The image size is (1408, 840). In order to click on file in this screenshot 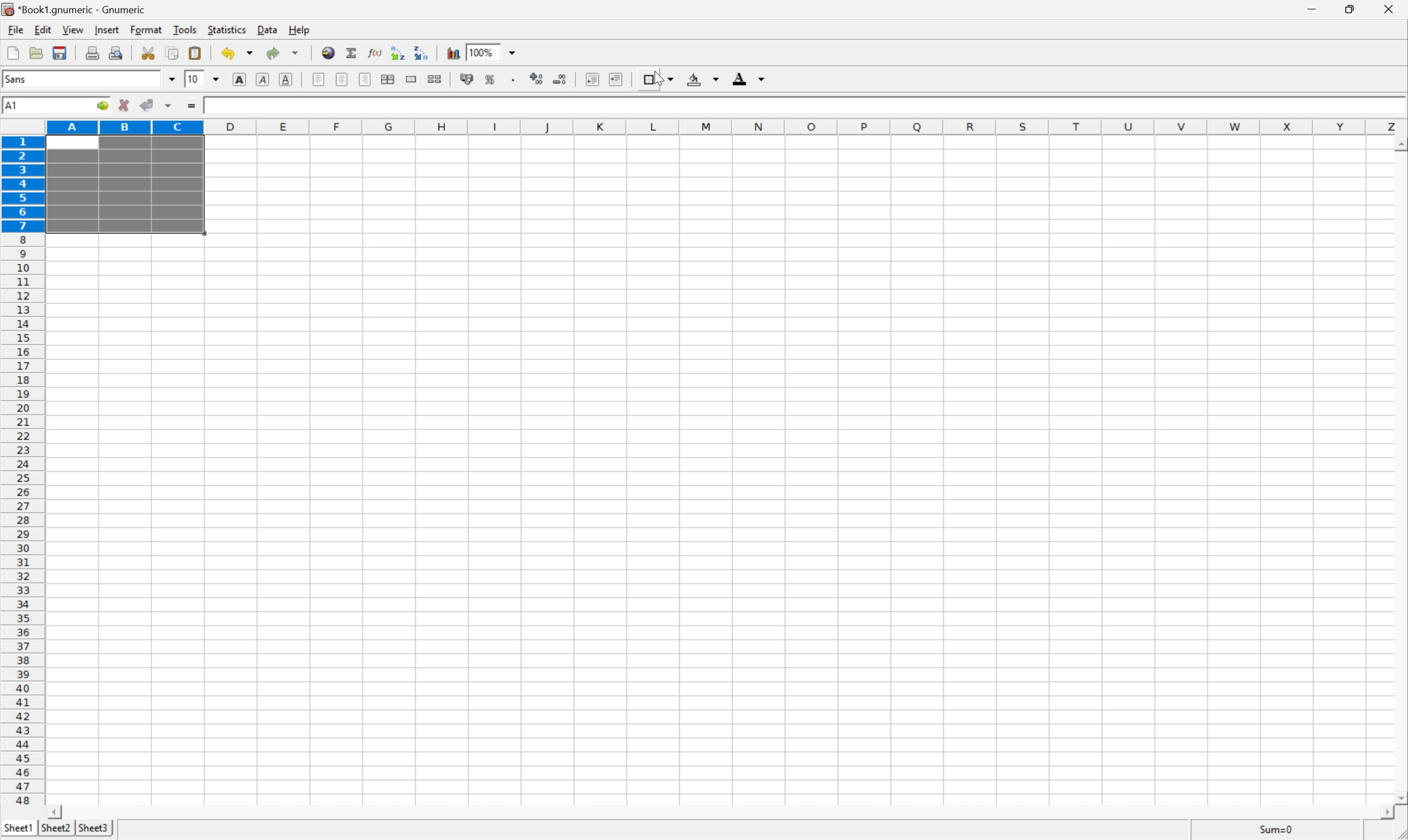, I will do `click(15, 29)`.